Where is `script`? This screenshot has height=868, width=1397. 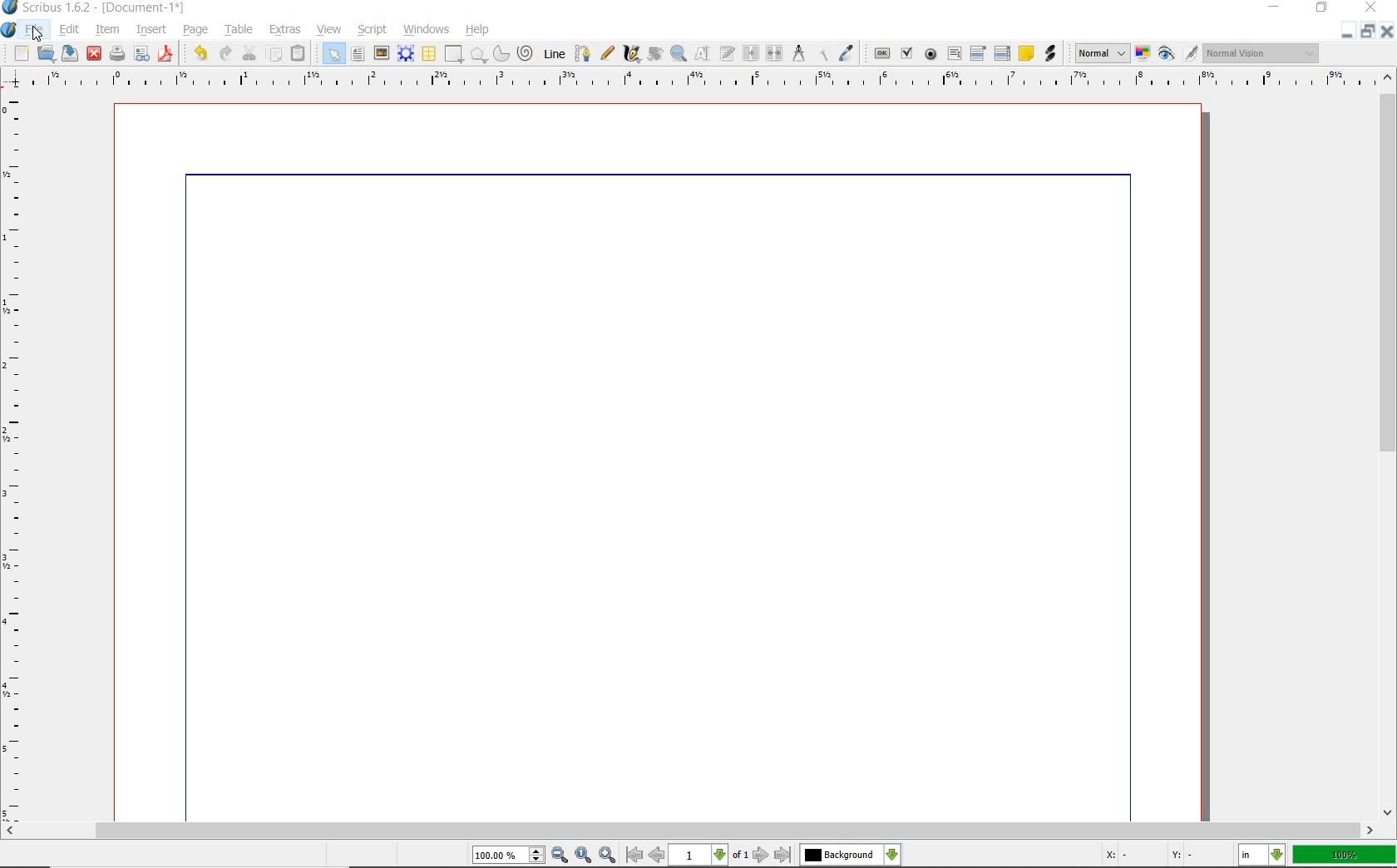 script is located at coordinates (373, 30).